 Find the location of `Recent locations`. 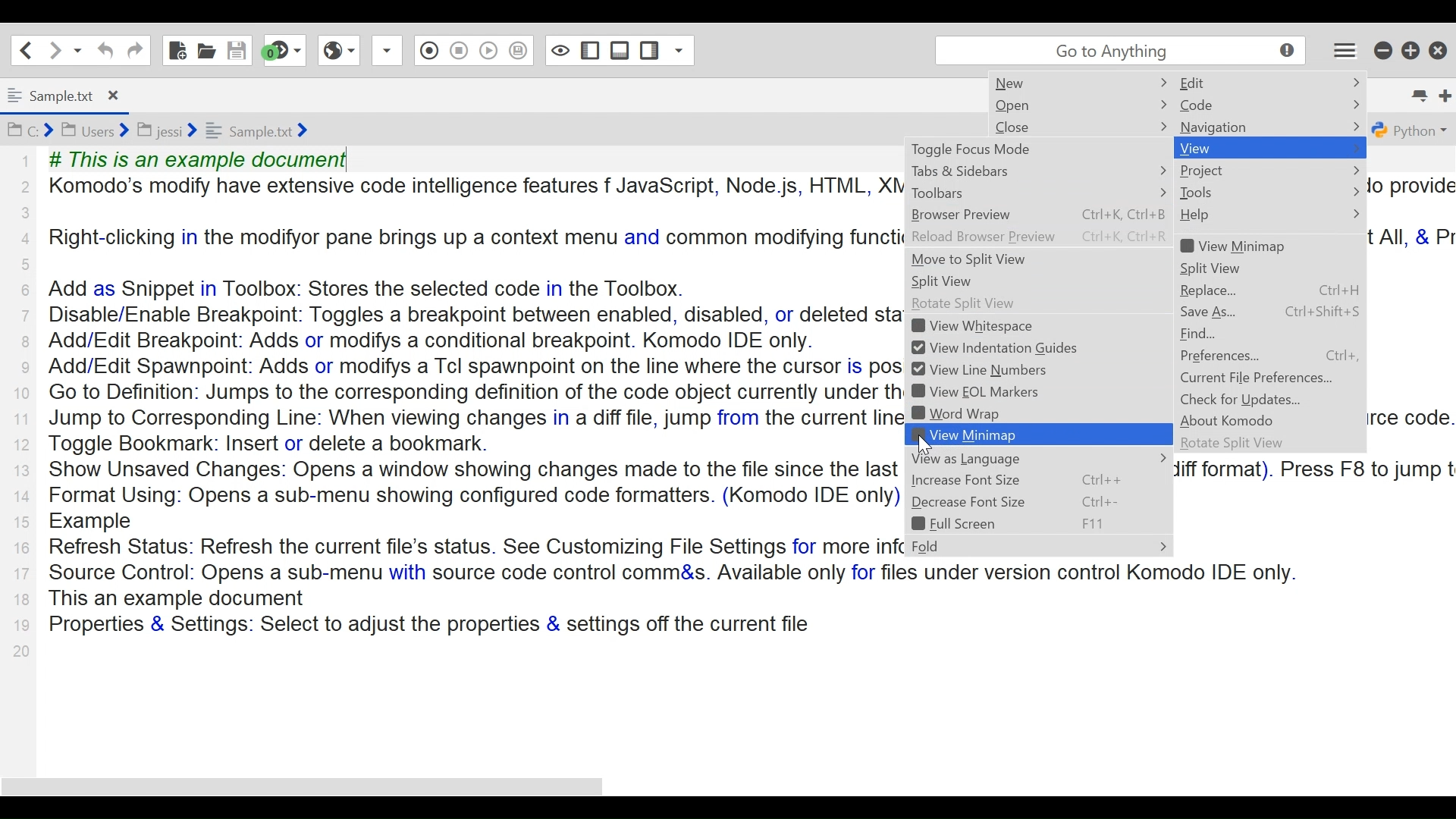

Recent locations is located at coordinates (77, 49).